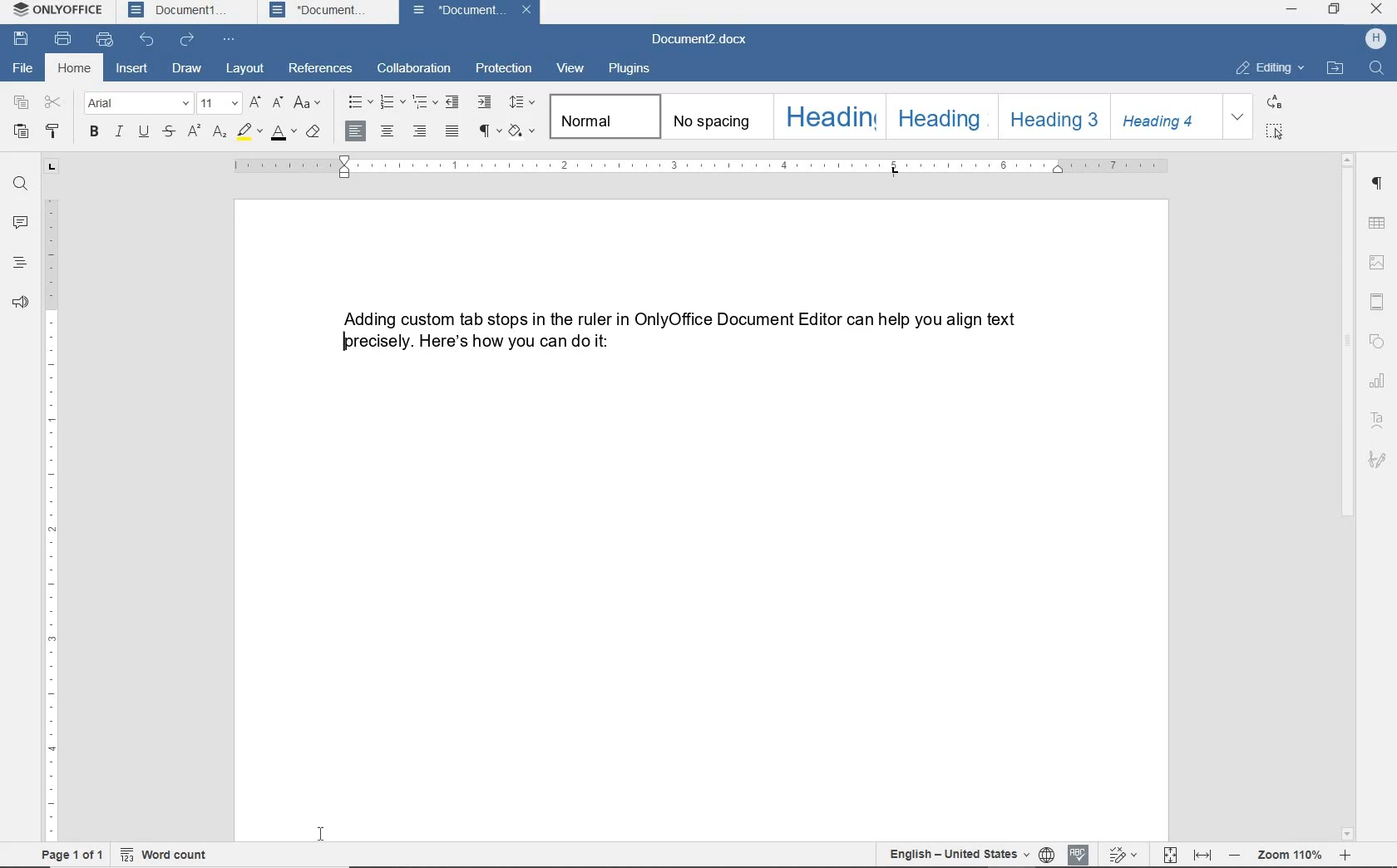  Describe the element at coordinates (1377, 302) in the screenshot. I see `header & footer` at that location.